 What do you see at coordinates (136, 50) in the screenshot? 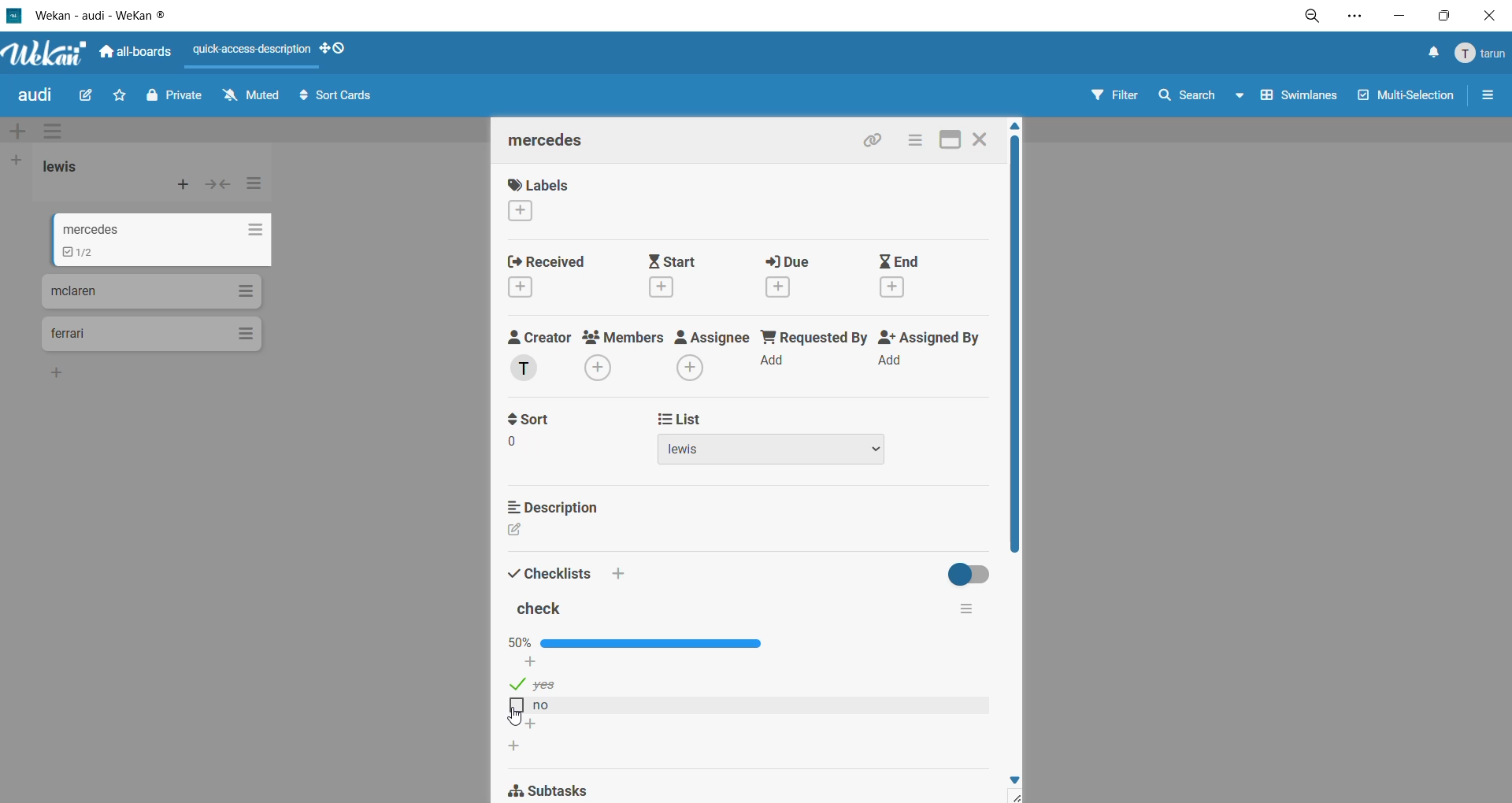
I see `all boards` at bounding box center [136, 50].